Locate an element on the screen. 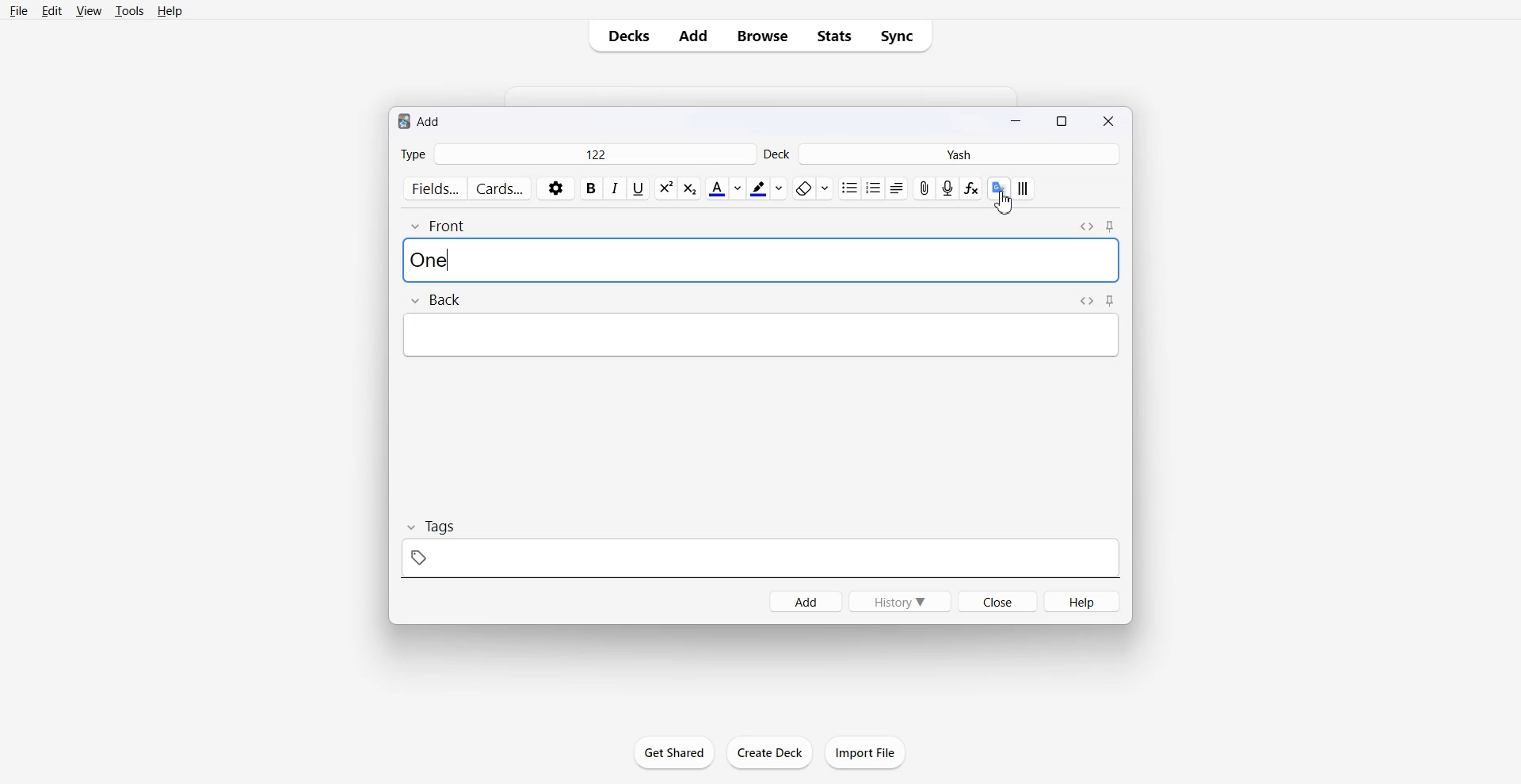 The width and height of the screenshot is (1521, 784). Alignments is located at coordinates (897, 188).